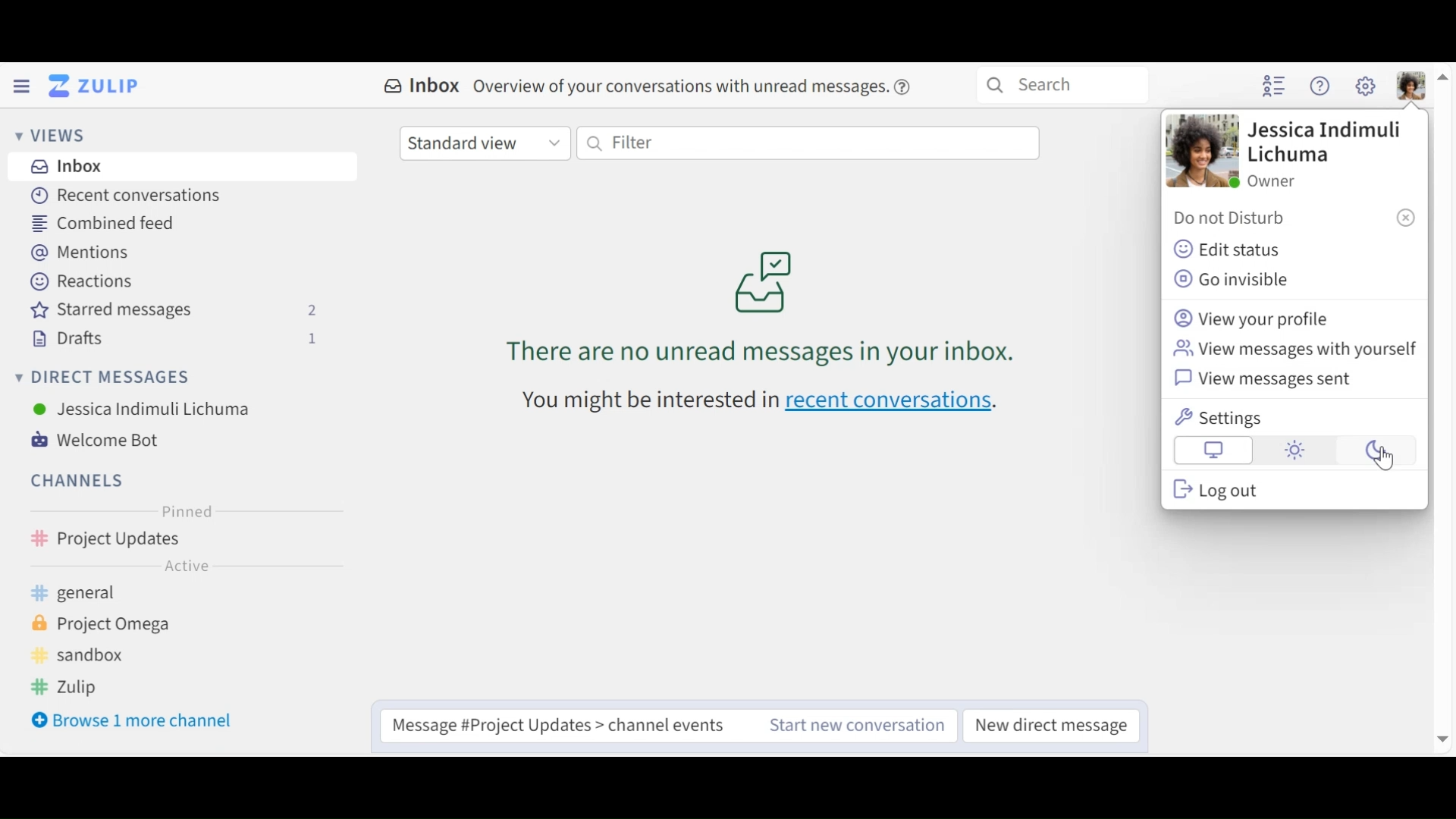 The height and width of the screenshot is (819, 1456). What do you see at coordinates (80, 280) in the screenshot?
I see `Reactions` at bounding box center [80, 280].